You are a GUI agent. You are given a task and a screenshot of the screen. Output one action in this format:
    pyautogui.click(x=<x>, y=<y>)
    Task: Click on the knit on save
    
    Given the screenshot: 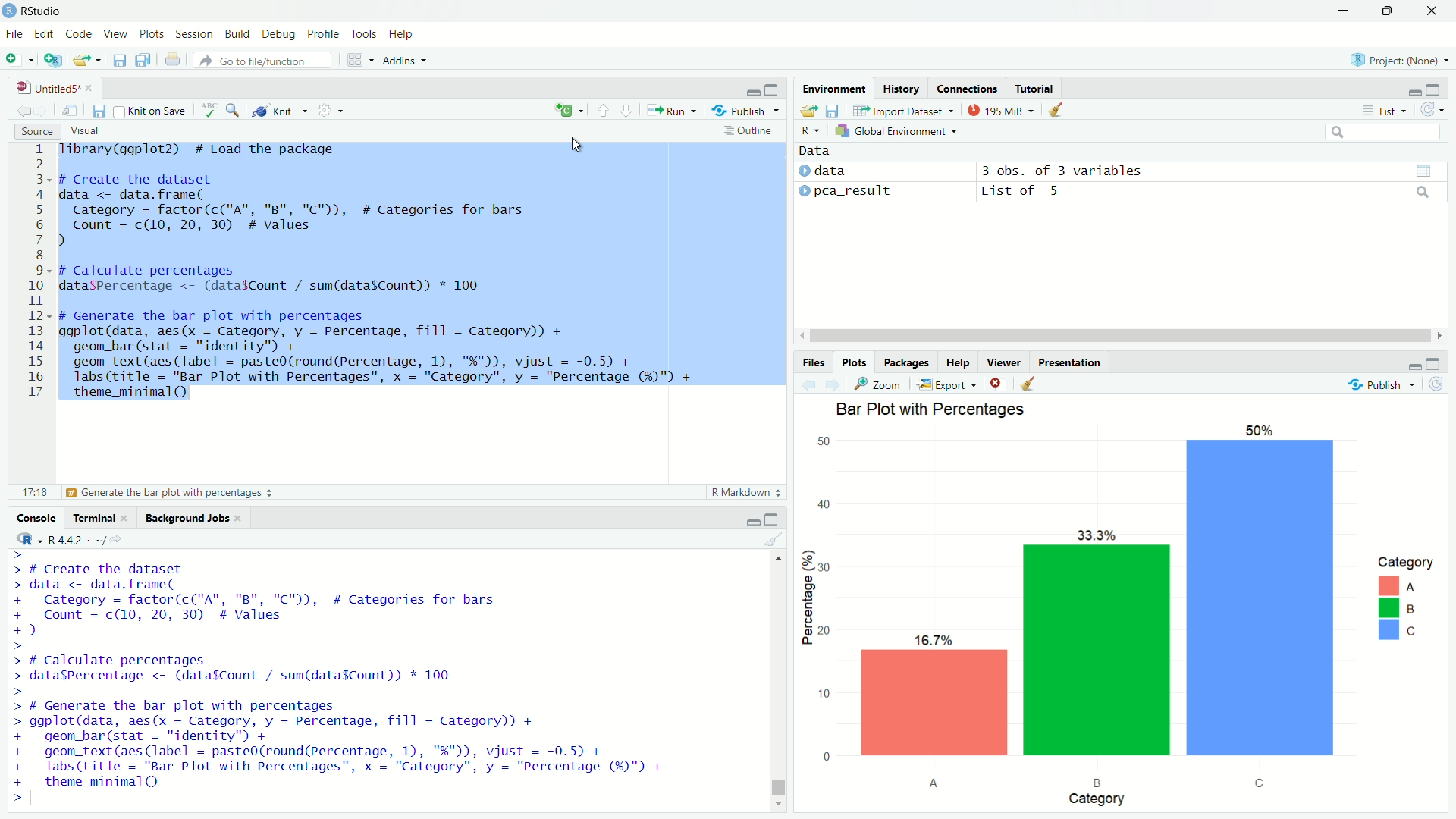 What is the action you would take?
    pyautogui.click(x=152, y=111)
    